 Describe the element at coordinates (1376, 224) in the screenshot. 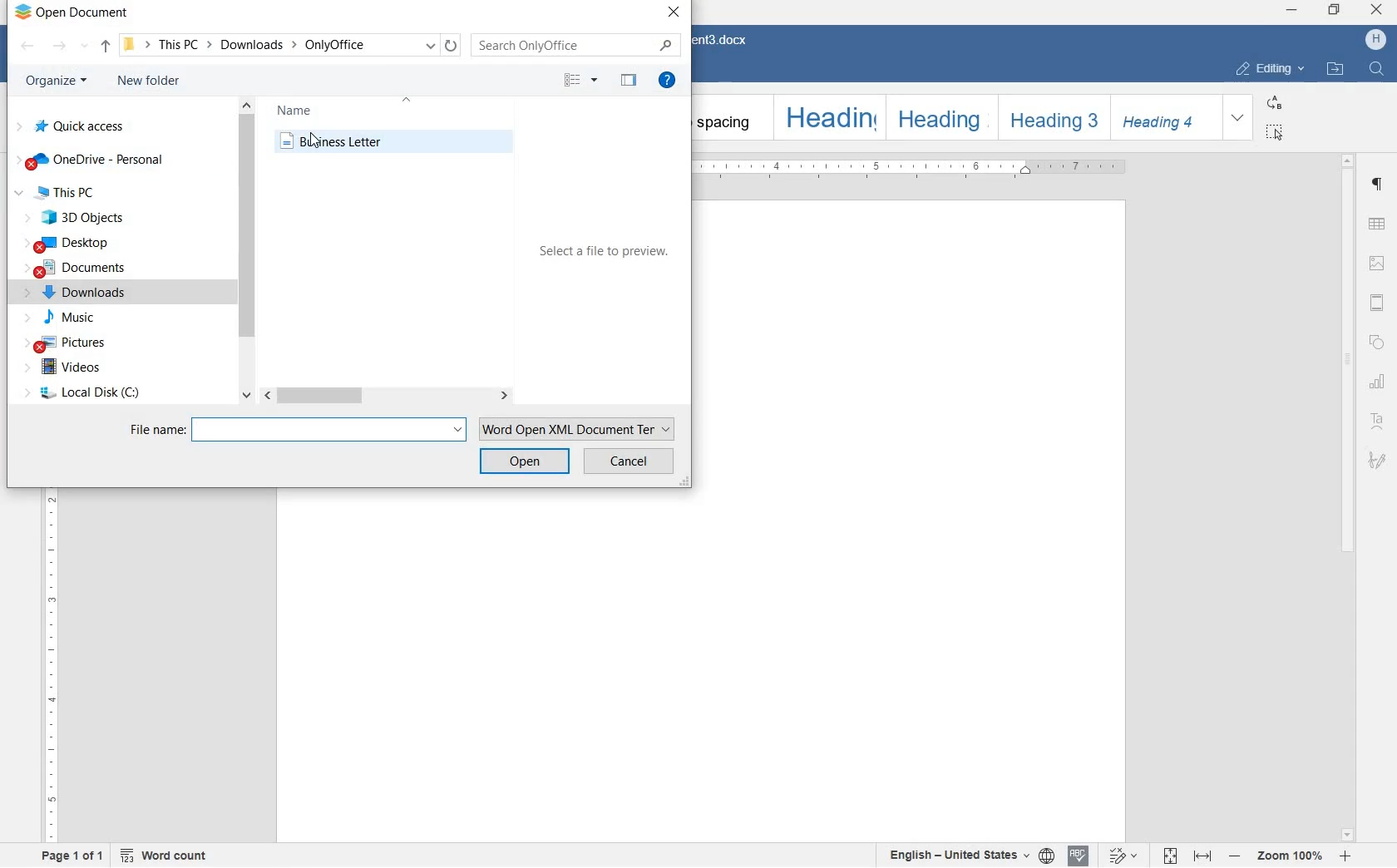

I see `table settings` at that location.